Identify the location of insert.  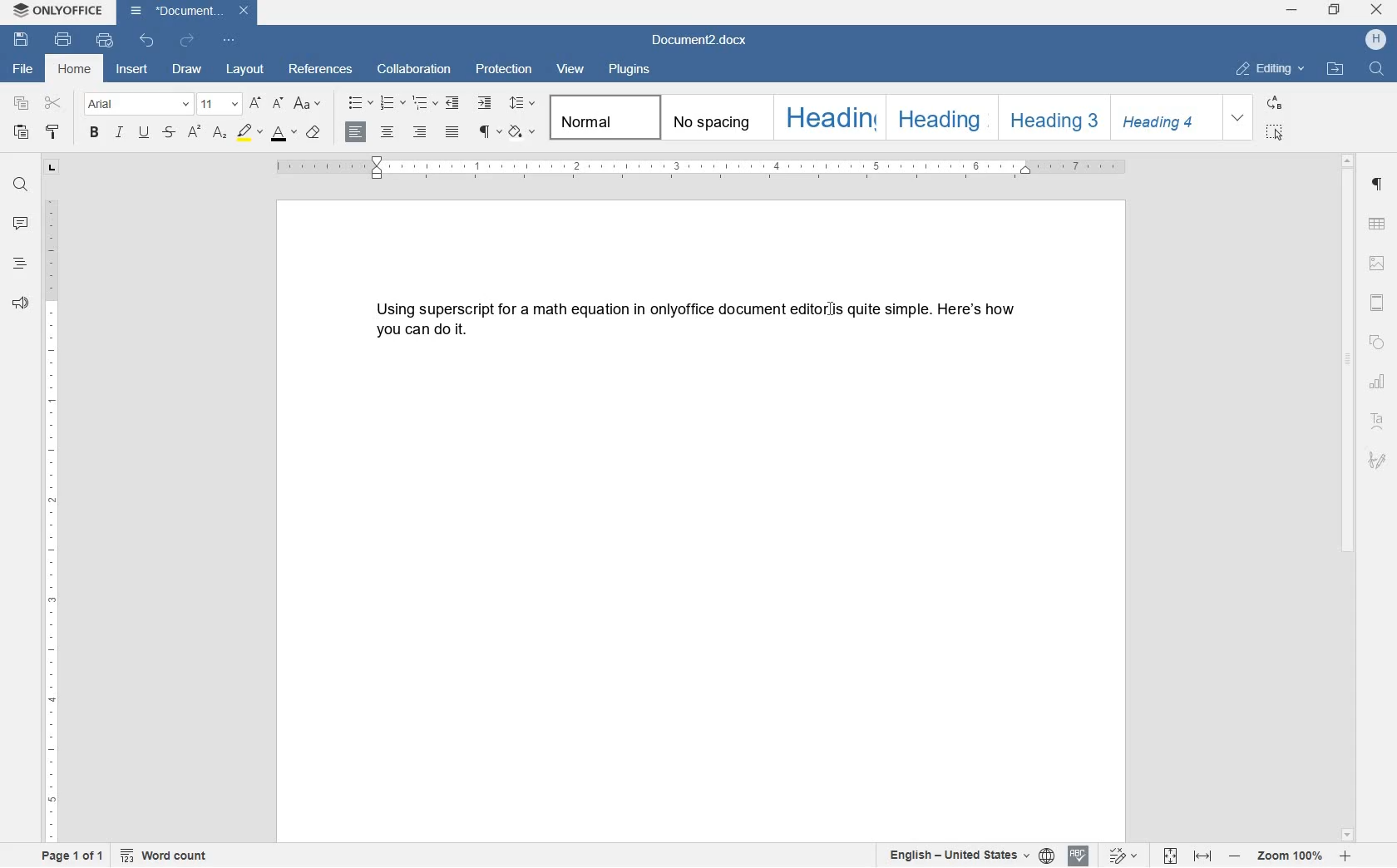
(135, 68).